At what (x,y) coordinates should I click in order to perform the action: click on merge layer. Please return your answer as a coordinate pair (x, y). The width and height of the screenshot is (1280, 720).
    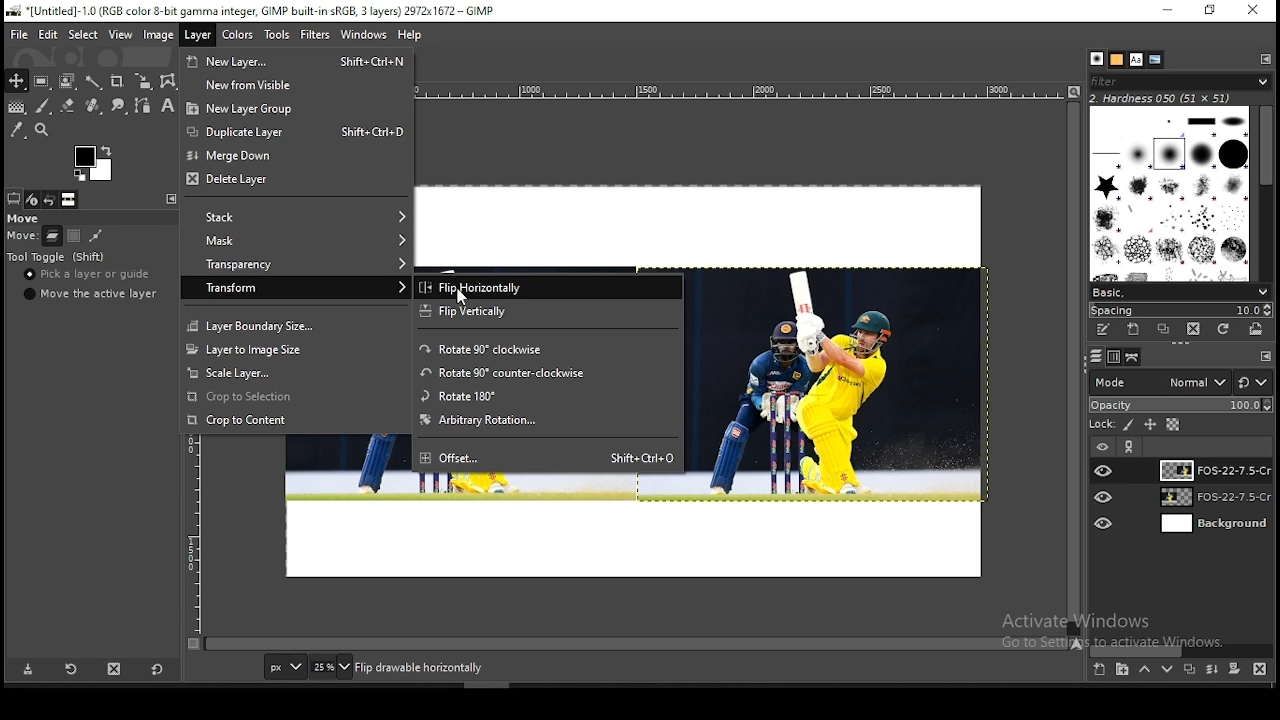
    Looking at the image, I should click on (1212, 669).